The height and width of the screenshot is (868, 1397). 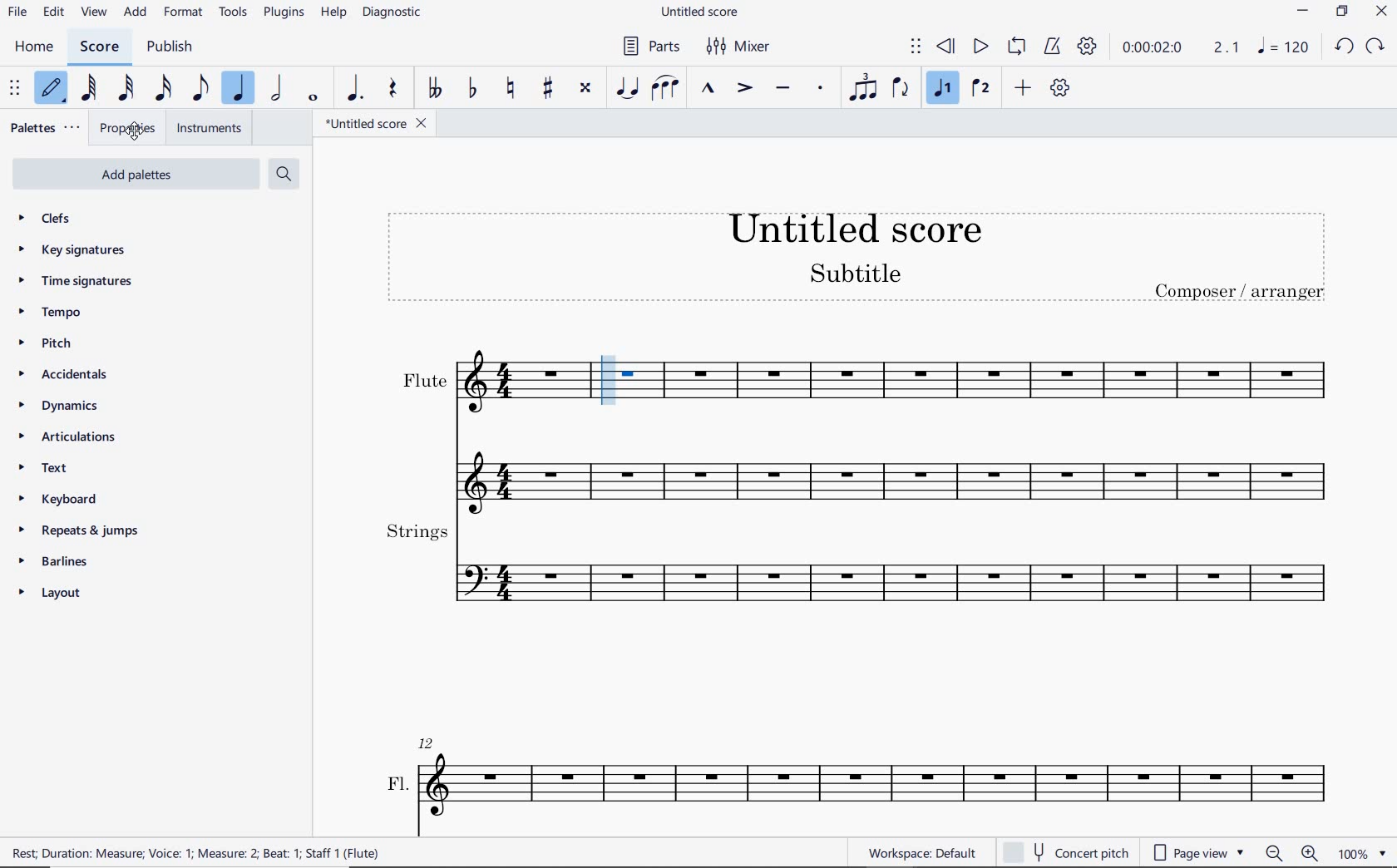 I want to click on layout, so click(x=53, y=595).